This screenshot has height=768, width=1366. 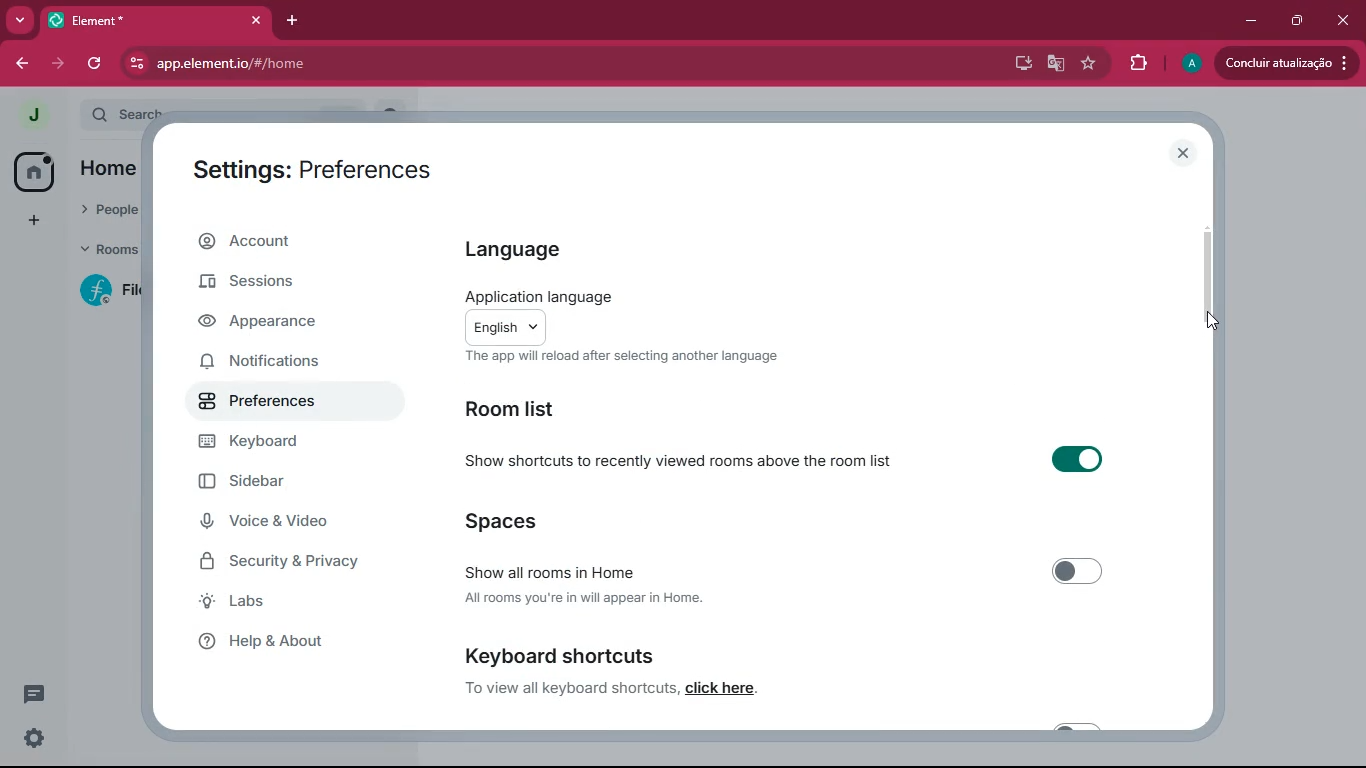 What do you see at coordinates (598, 315) in the screenshot?
I see `application language` at bounding box center [598, 315].